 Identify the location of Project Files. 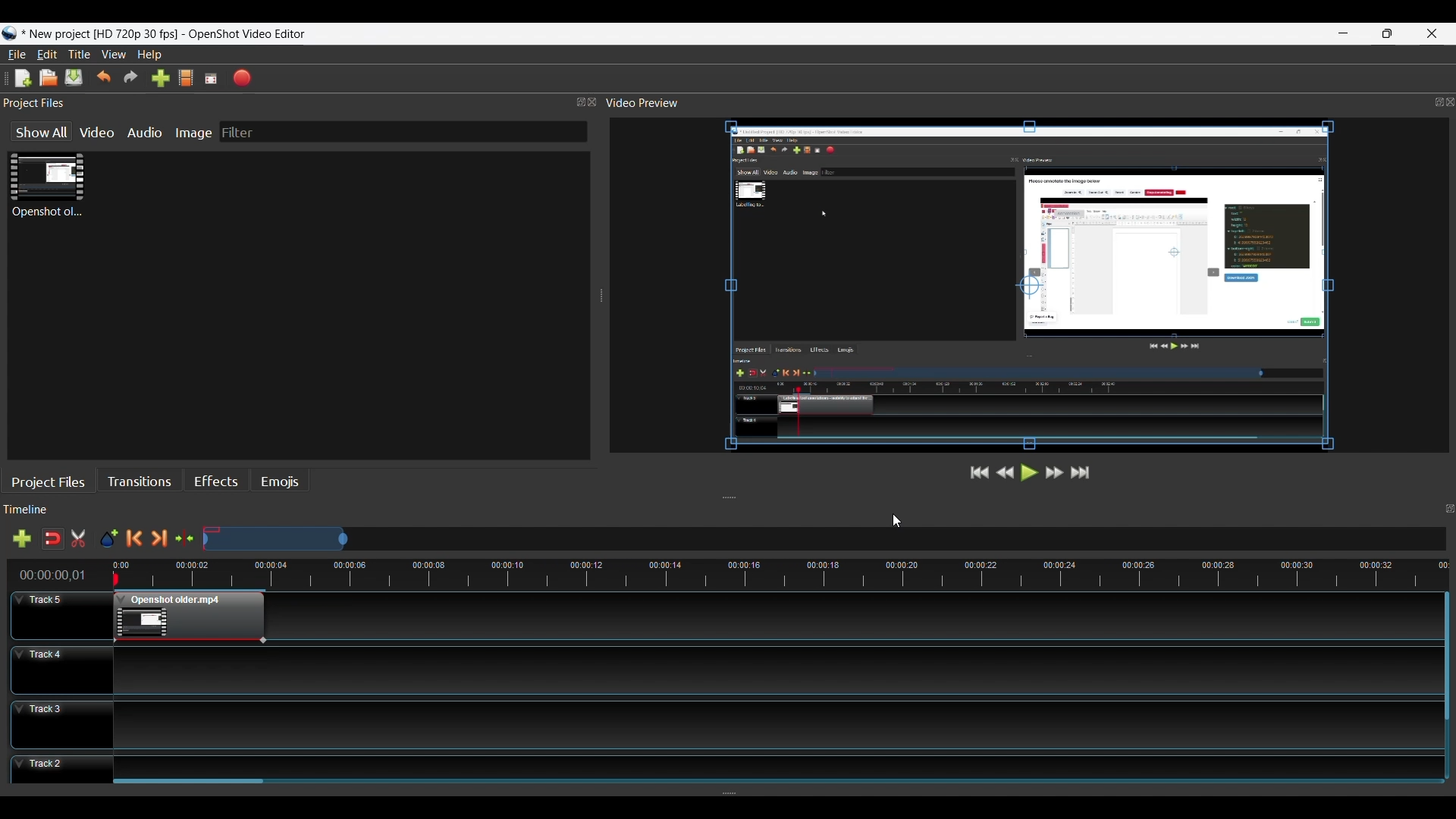
(299, 104).